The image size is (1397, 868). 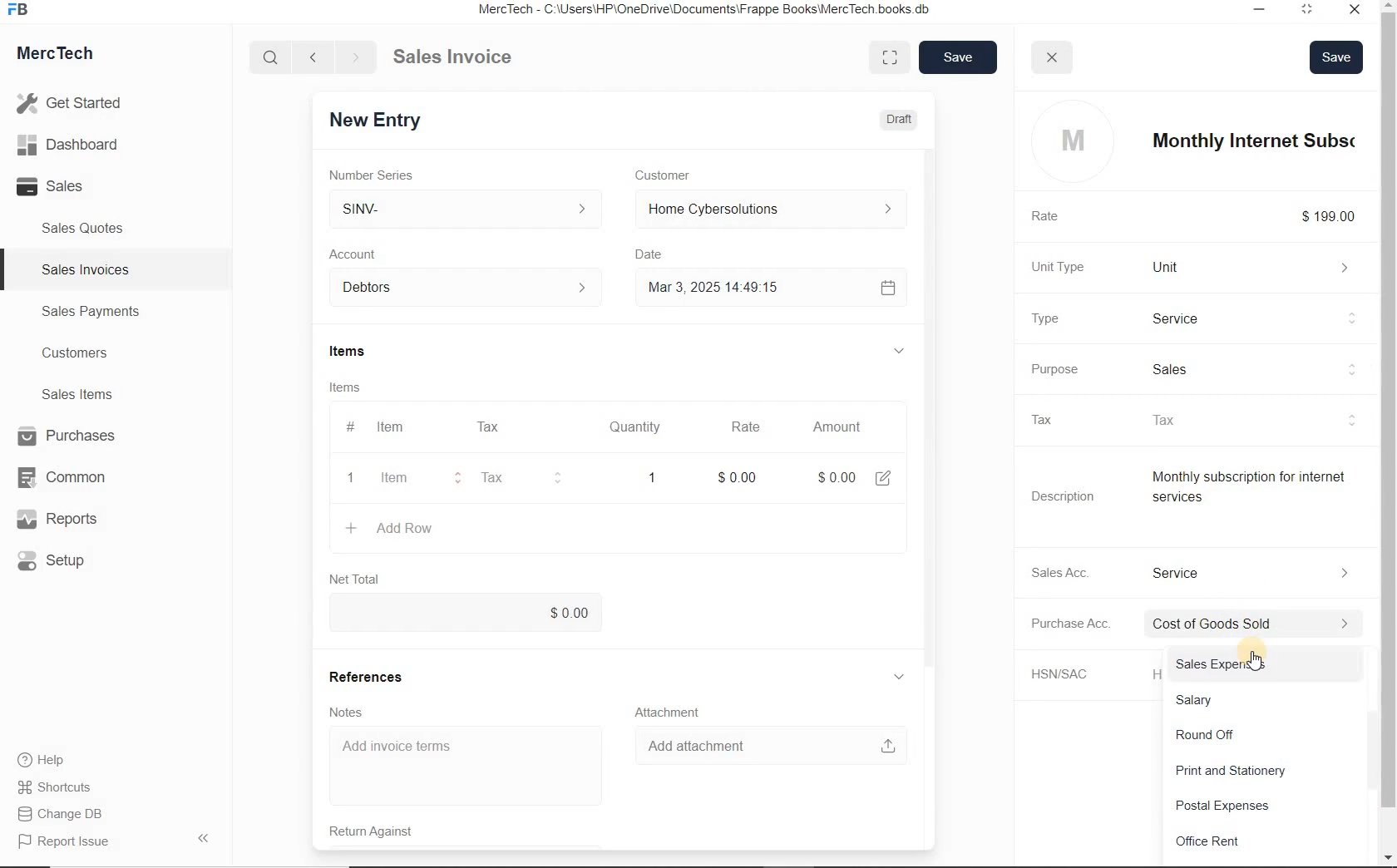 What do you see at coordinates (407, 480) in the screenshot?
I see `item` at bounding box center [407, 480].